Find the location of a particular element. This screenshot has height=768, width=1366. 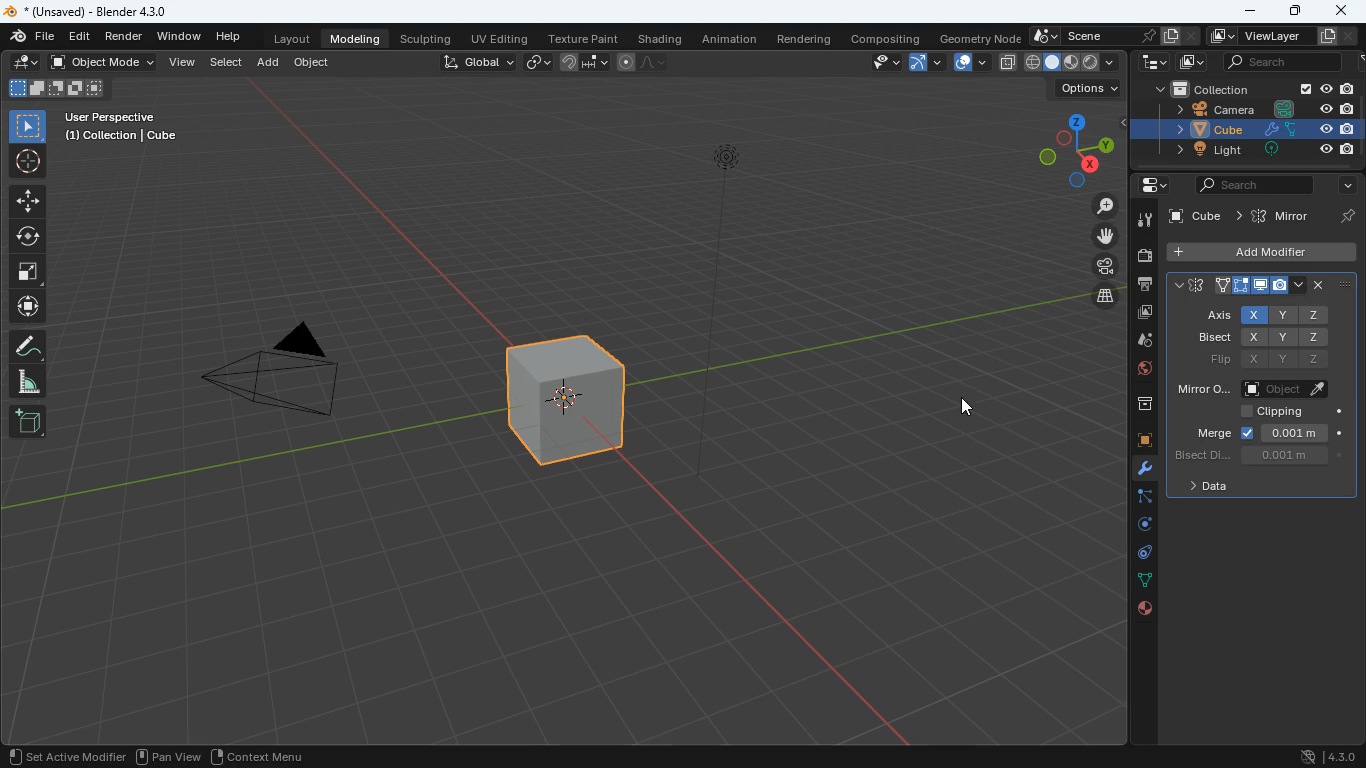

line is located at coordinates (641, 64).